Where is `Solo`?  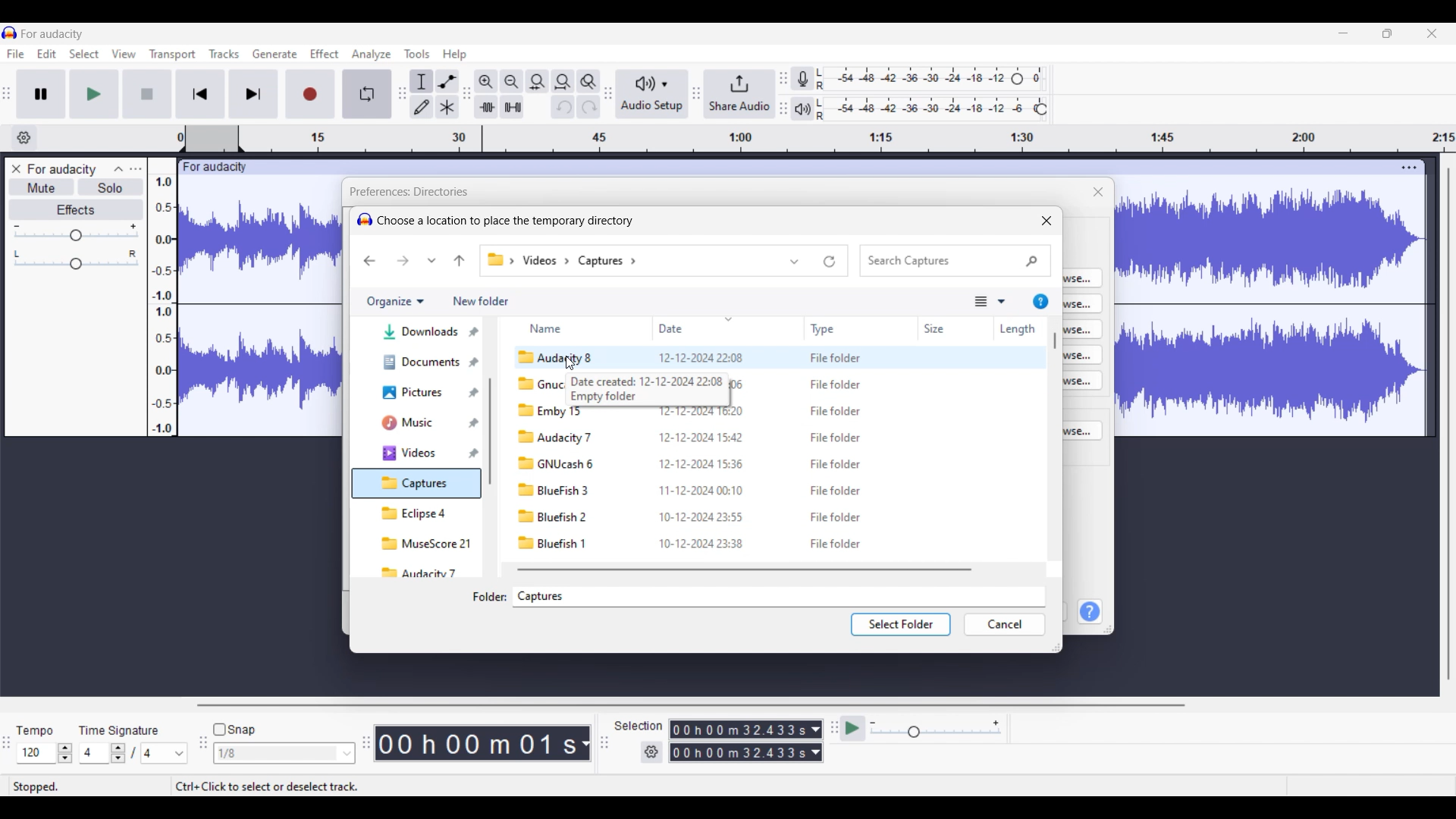 Solo is located at coordinates (110, 187).